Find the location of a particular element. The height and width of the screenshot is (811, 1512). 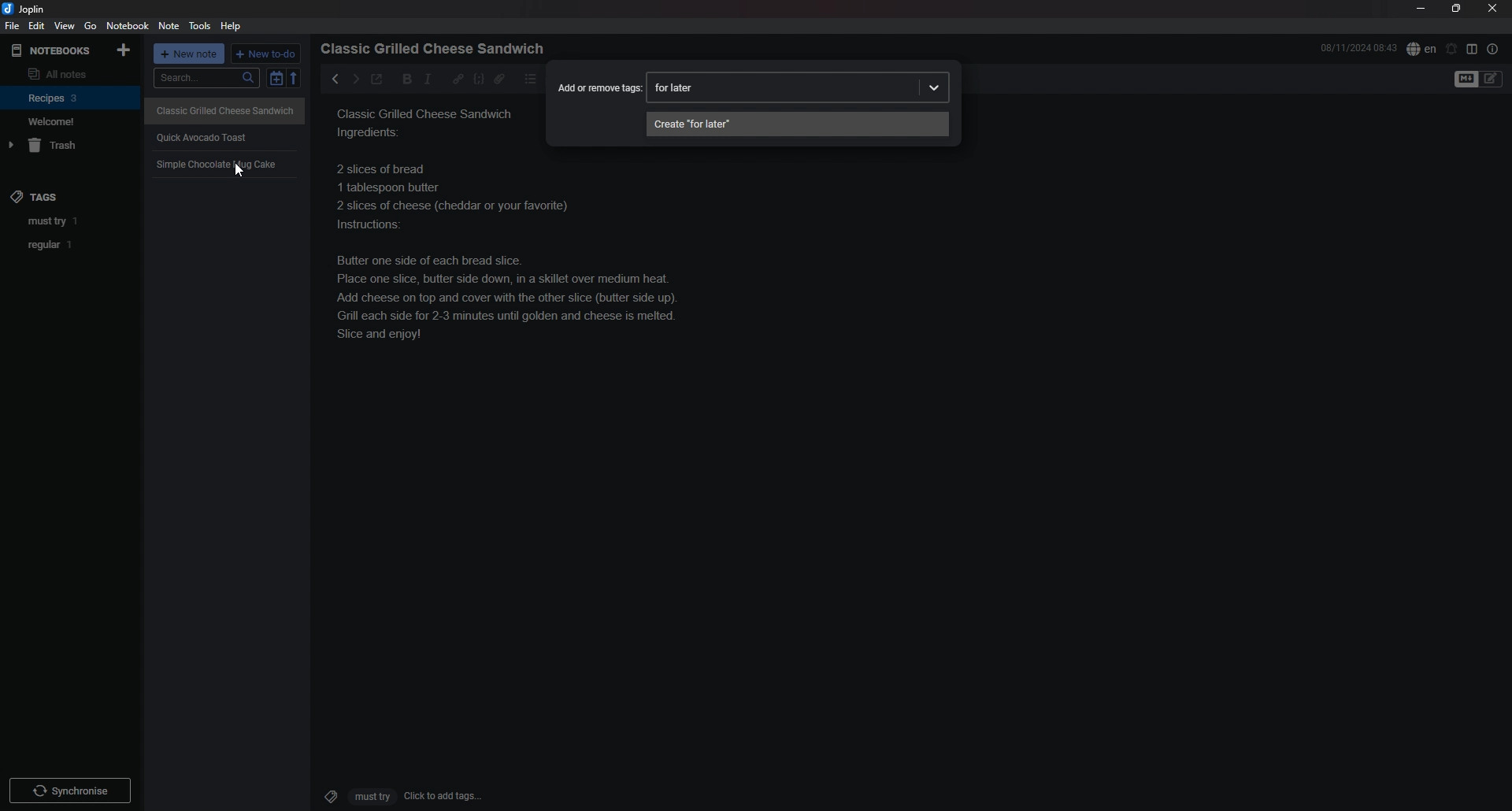

cursor is located at coordinates (238, 172).